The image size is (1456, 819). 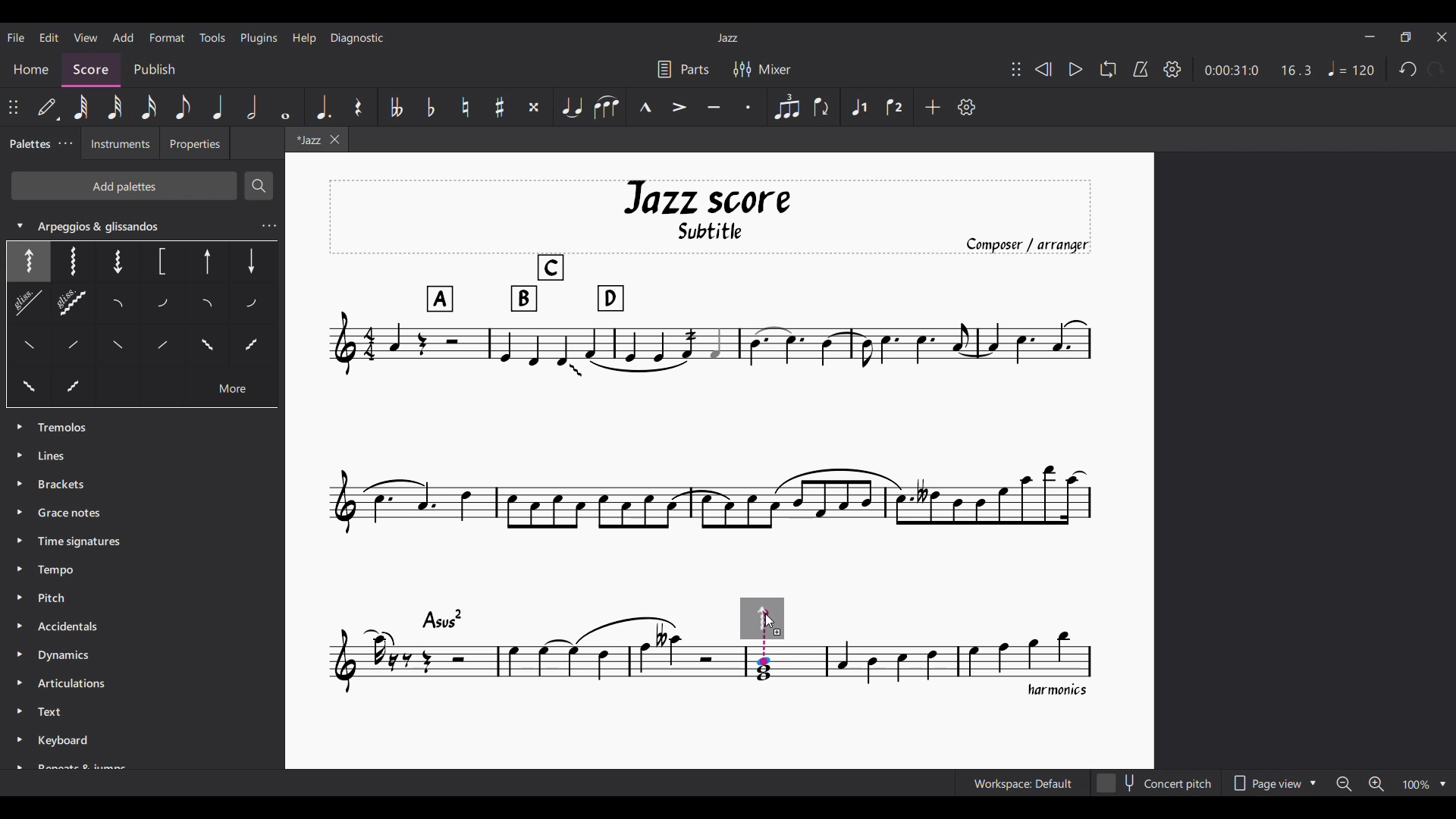 I want to click on Tools menu, so click(x=212, y=37).